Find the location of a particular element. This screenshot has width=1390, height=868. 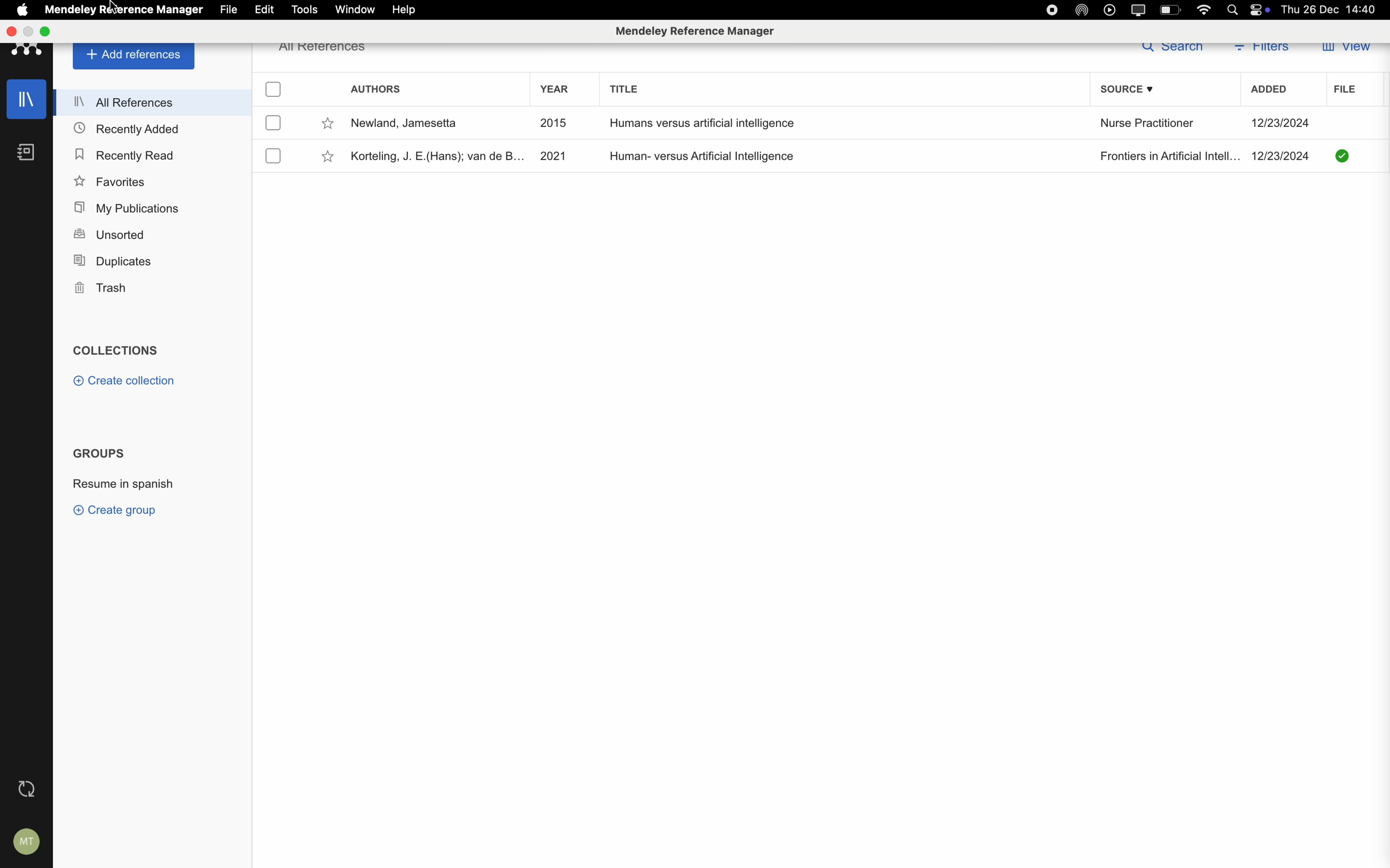

authors is located at coordinates (376, 88).